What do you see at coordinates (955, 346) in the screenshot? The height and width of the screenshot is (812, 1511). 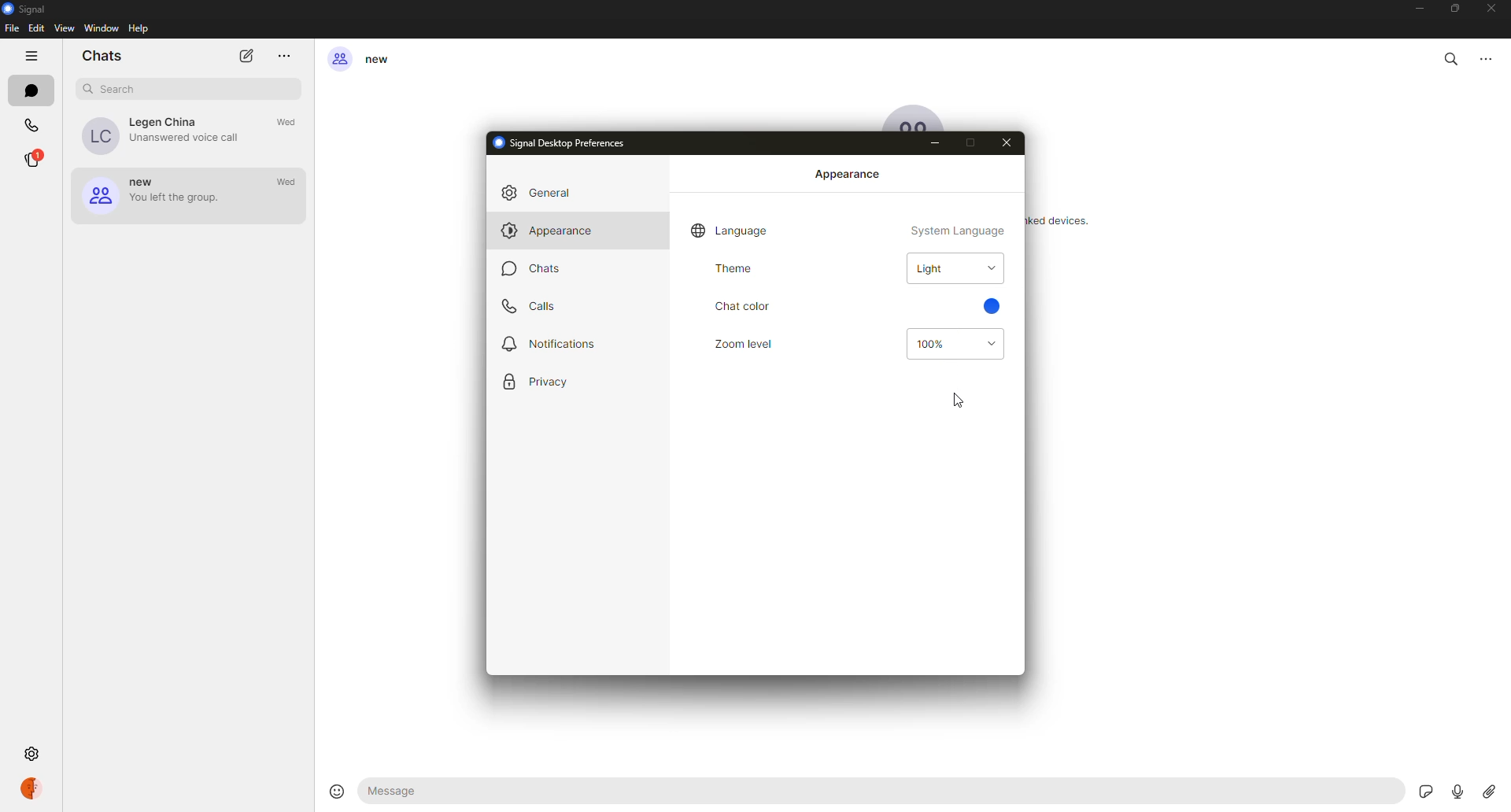 I see `100%` at bounding box center [955, 346].